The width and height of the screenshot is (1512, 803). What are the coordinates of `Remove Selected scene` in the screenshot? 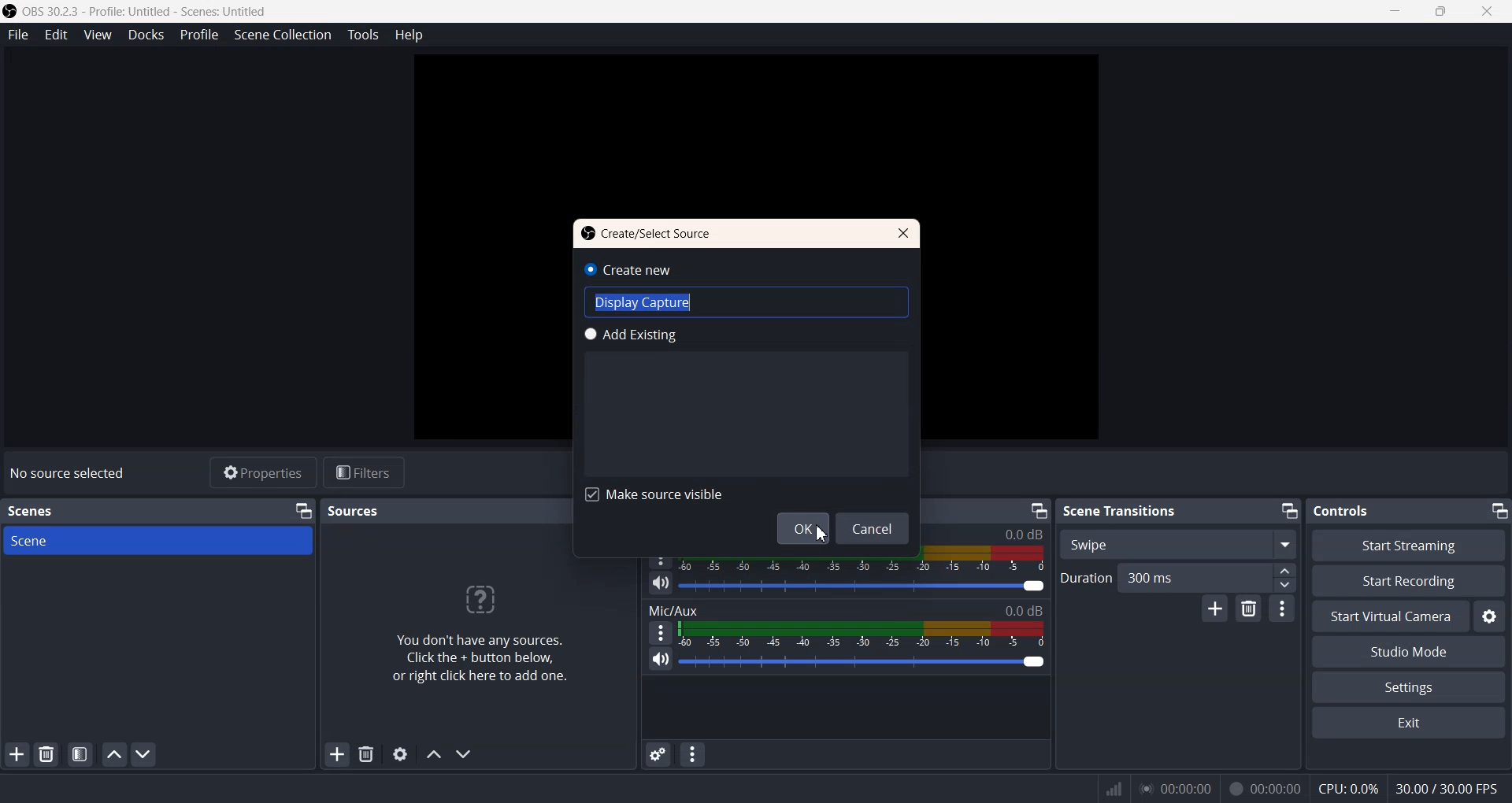 It's located at (47, 754).